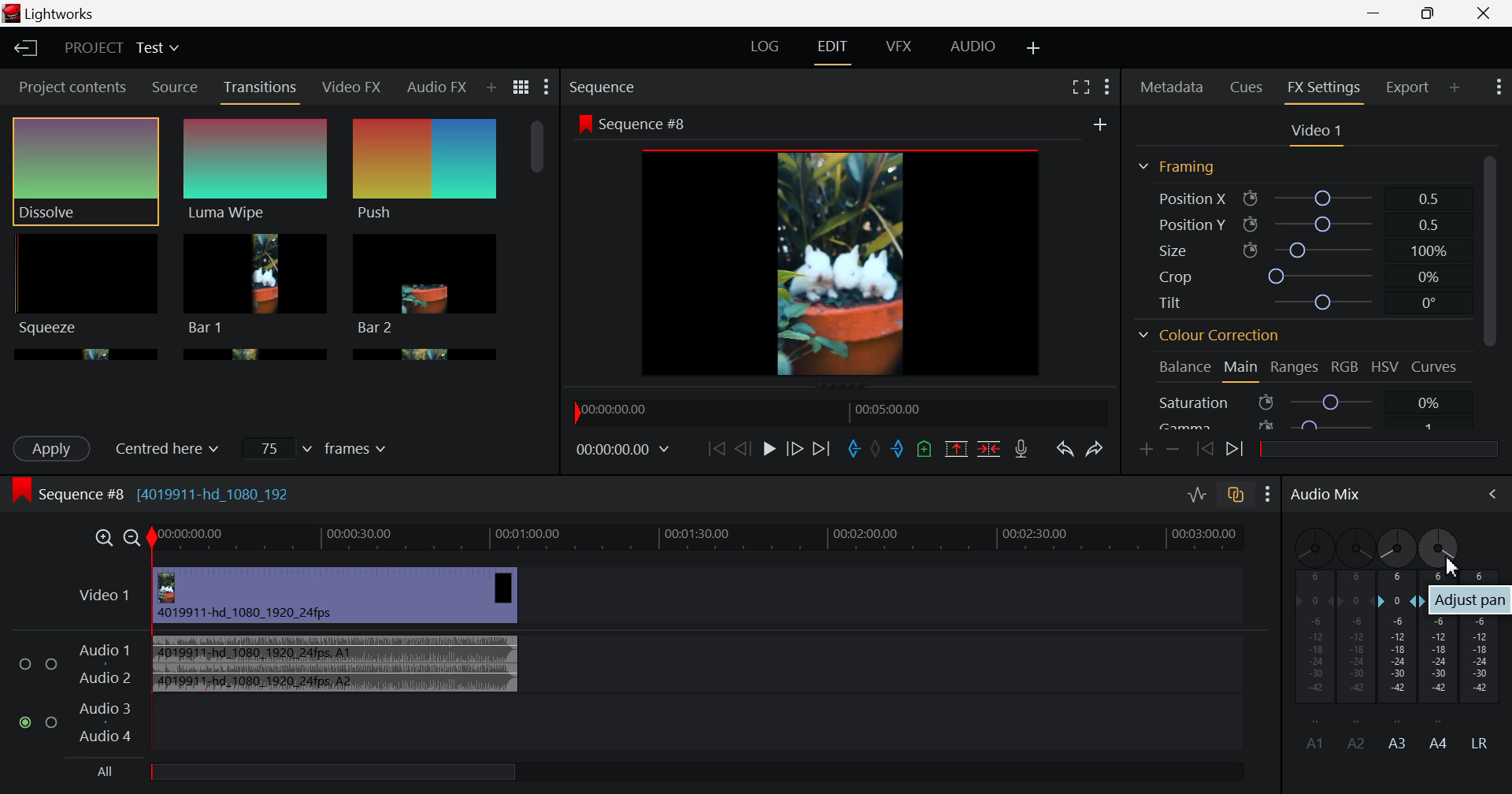  What do you see at coordinates (713, 538) in the screenshot?
I see `Timeline Track` at bounding box center [713, 538].